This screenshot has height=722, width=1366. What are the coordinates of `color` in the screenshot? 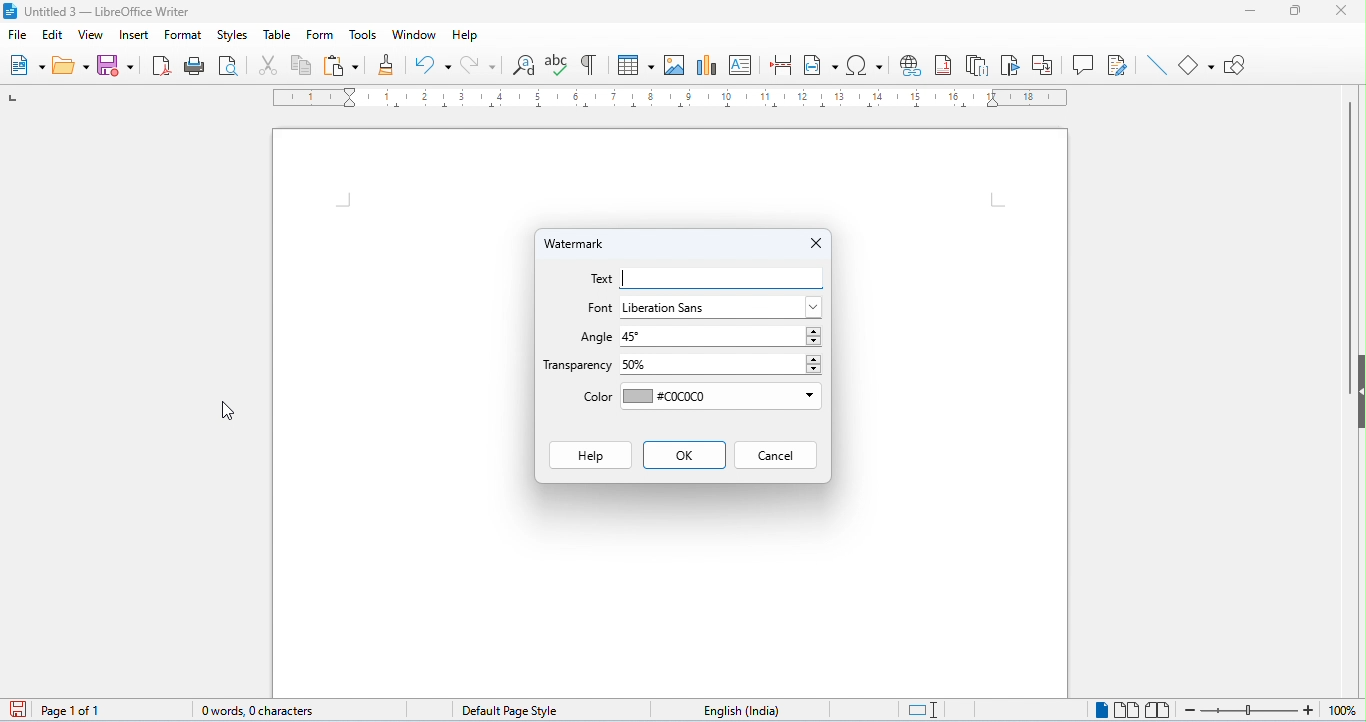 It's located at (594, 399).